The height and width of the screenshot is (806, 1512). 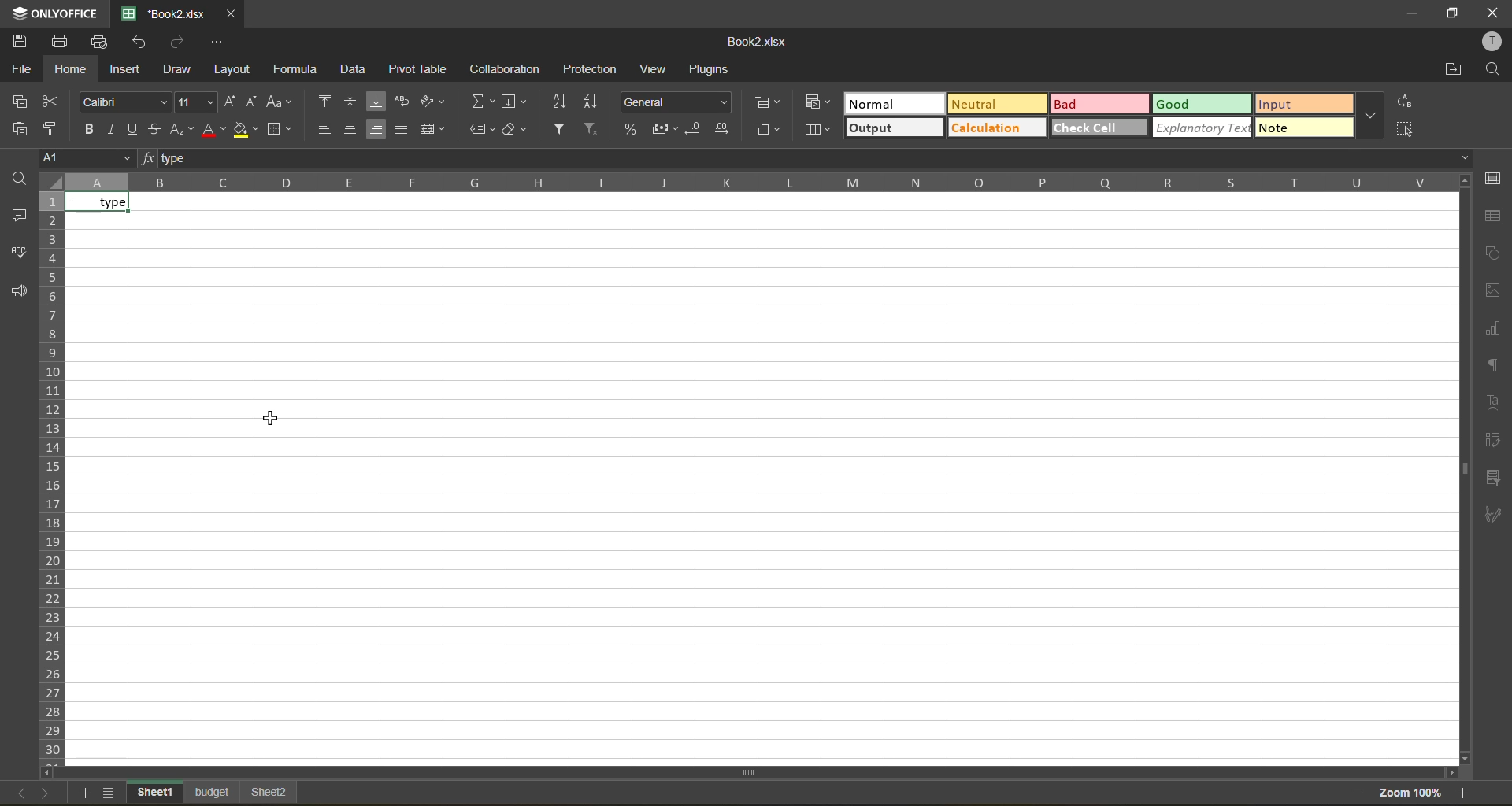 I want to click on row numbers, so click(x=53, y=477).